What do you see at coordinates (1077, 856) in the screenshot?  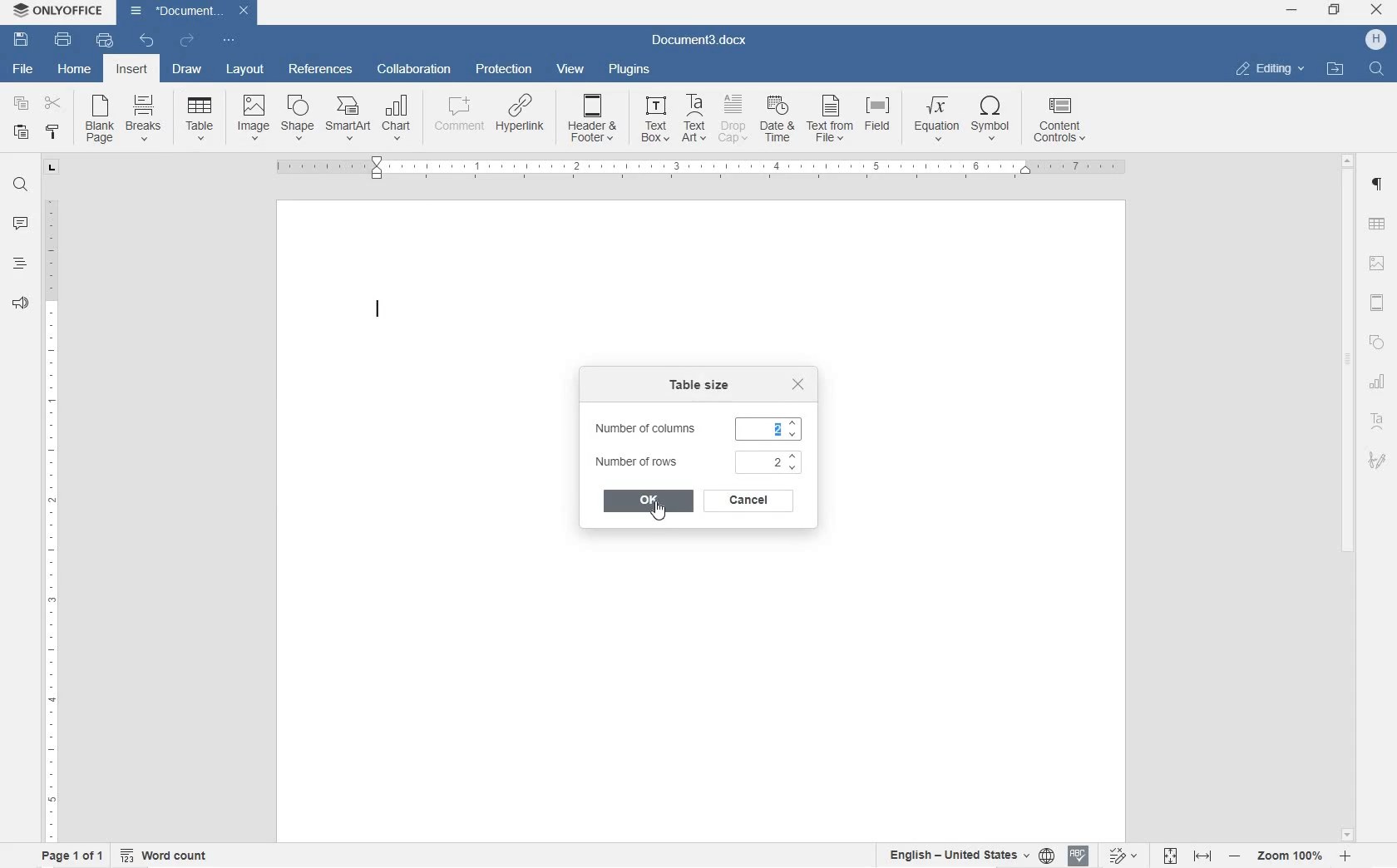 I see `SPELL CHECKING` at bounding box center [1077, 856].